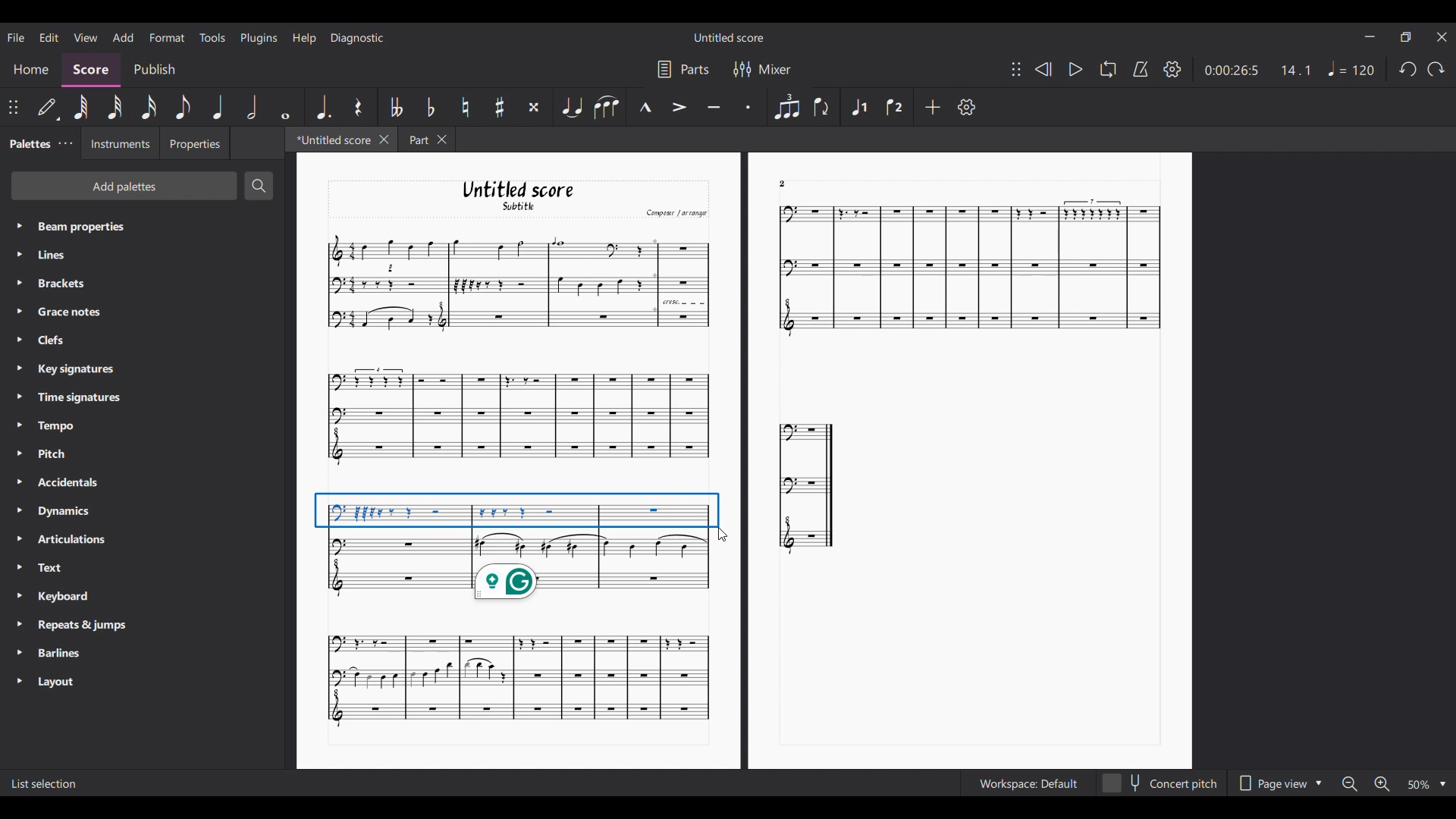  What do you see at coordinates (217, 107) in the screenshot?
I see `Quarter note` at bounding box center [217, 107].